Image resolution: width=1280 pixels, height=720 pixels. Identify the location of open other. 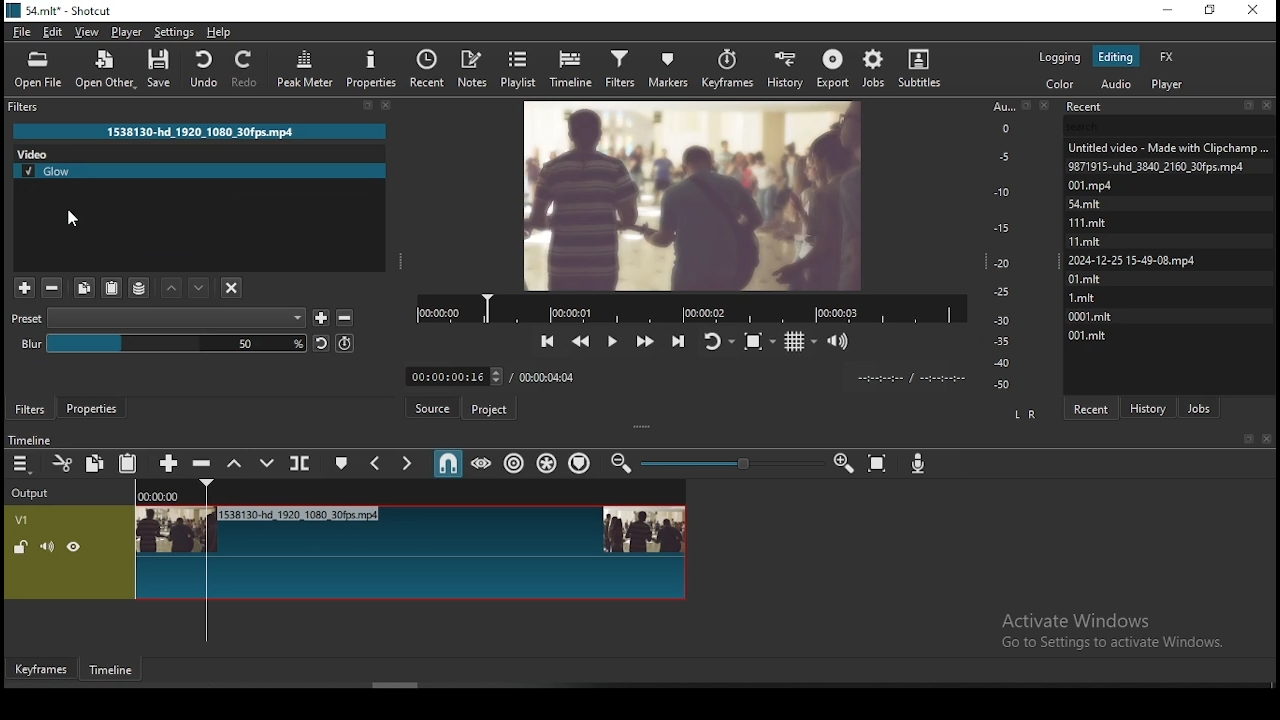
(103, 71).